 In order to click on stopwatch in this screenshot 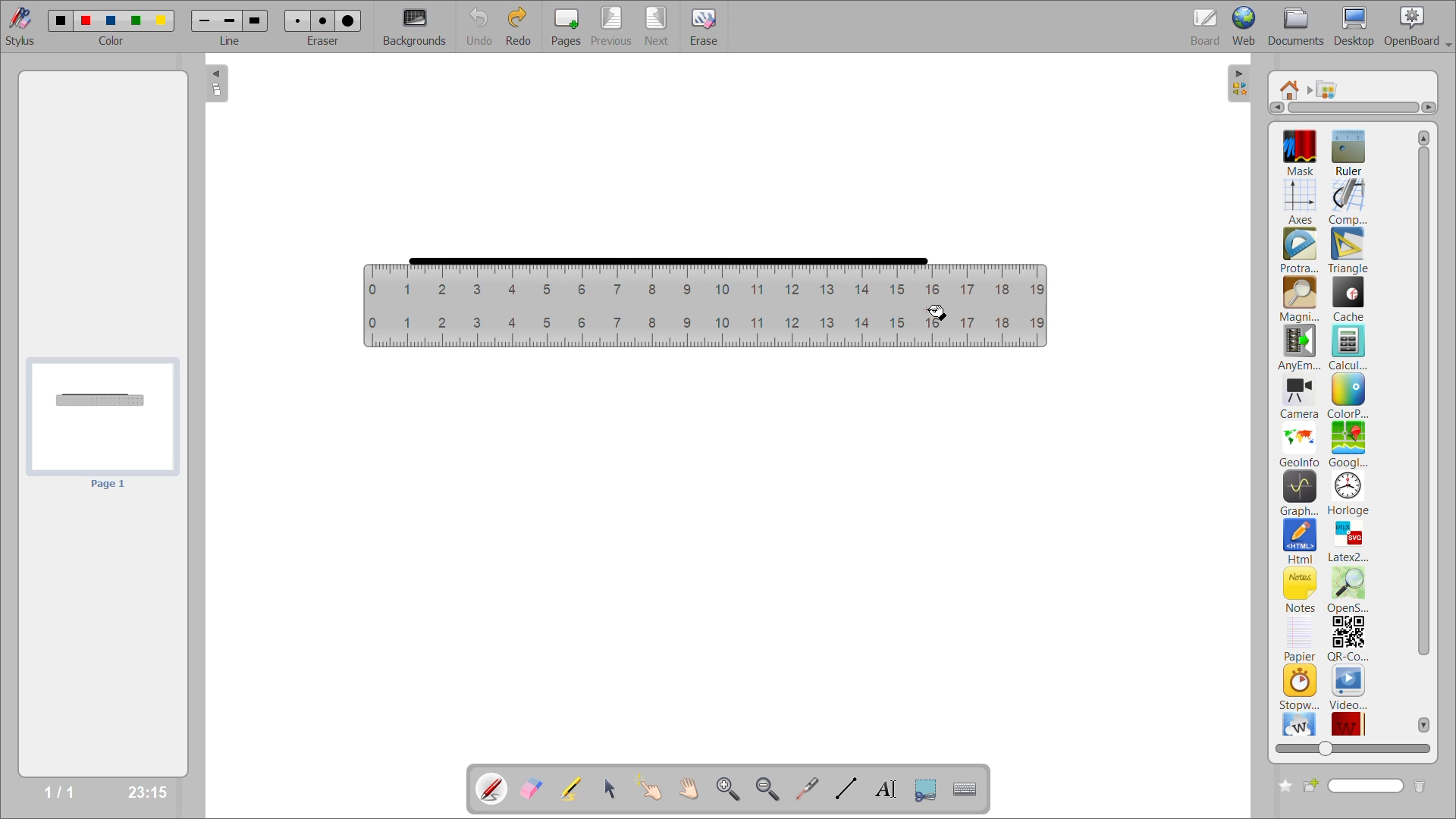, I will do `click(1299, 686)`.